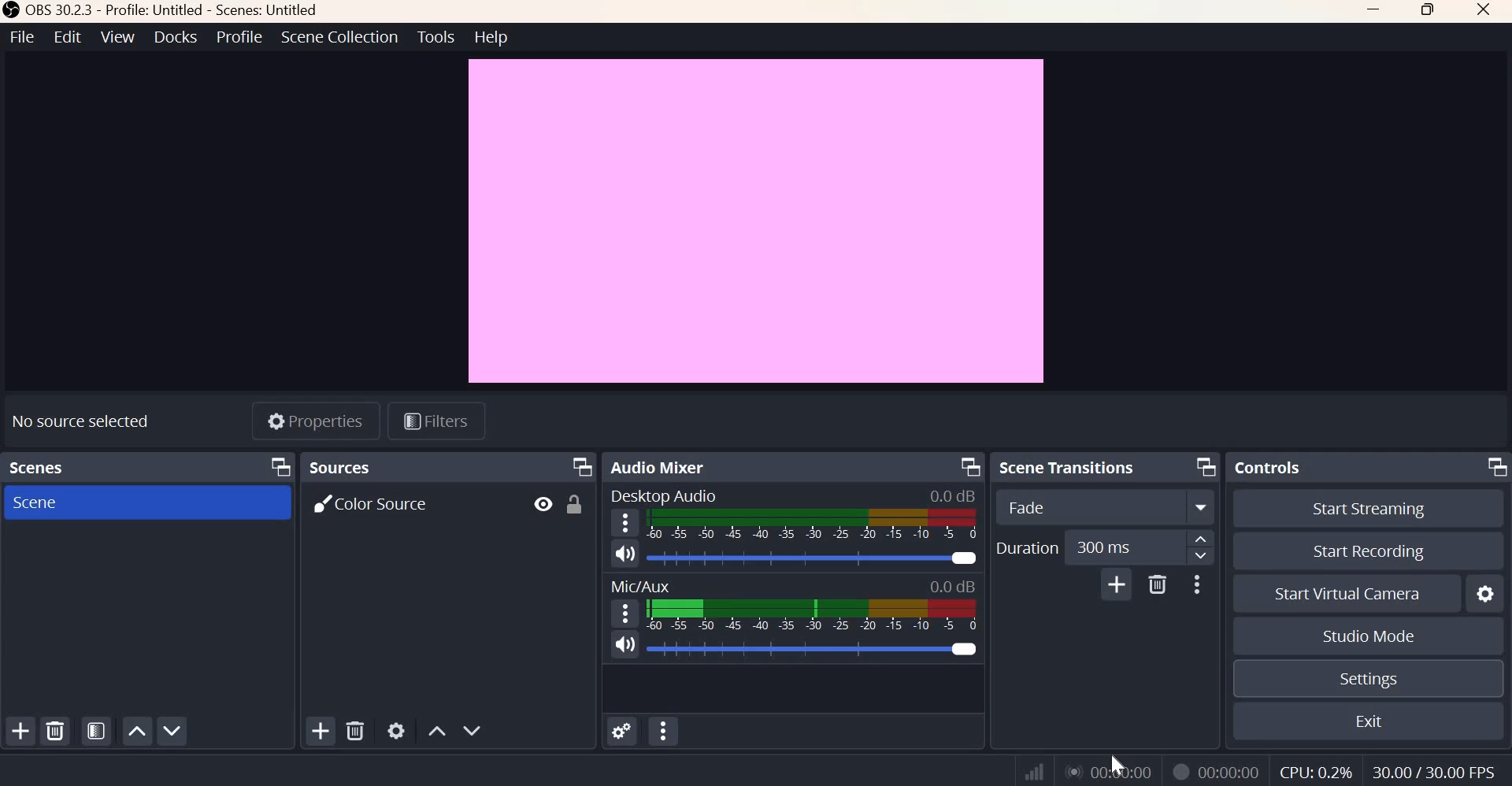 Image resolution: width=1512 pixels, height=786 pixels. What do you see at coordinates (160, 10) in the screenshot?
I see `OBS 30.2.3 - Profile: Untitled - Scenes: Untitled` at bounding box center [160, 10].